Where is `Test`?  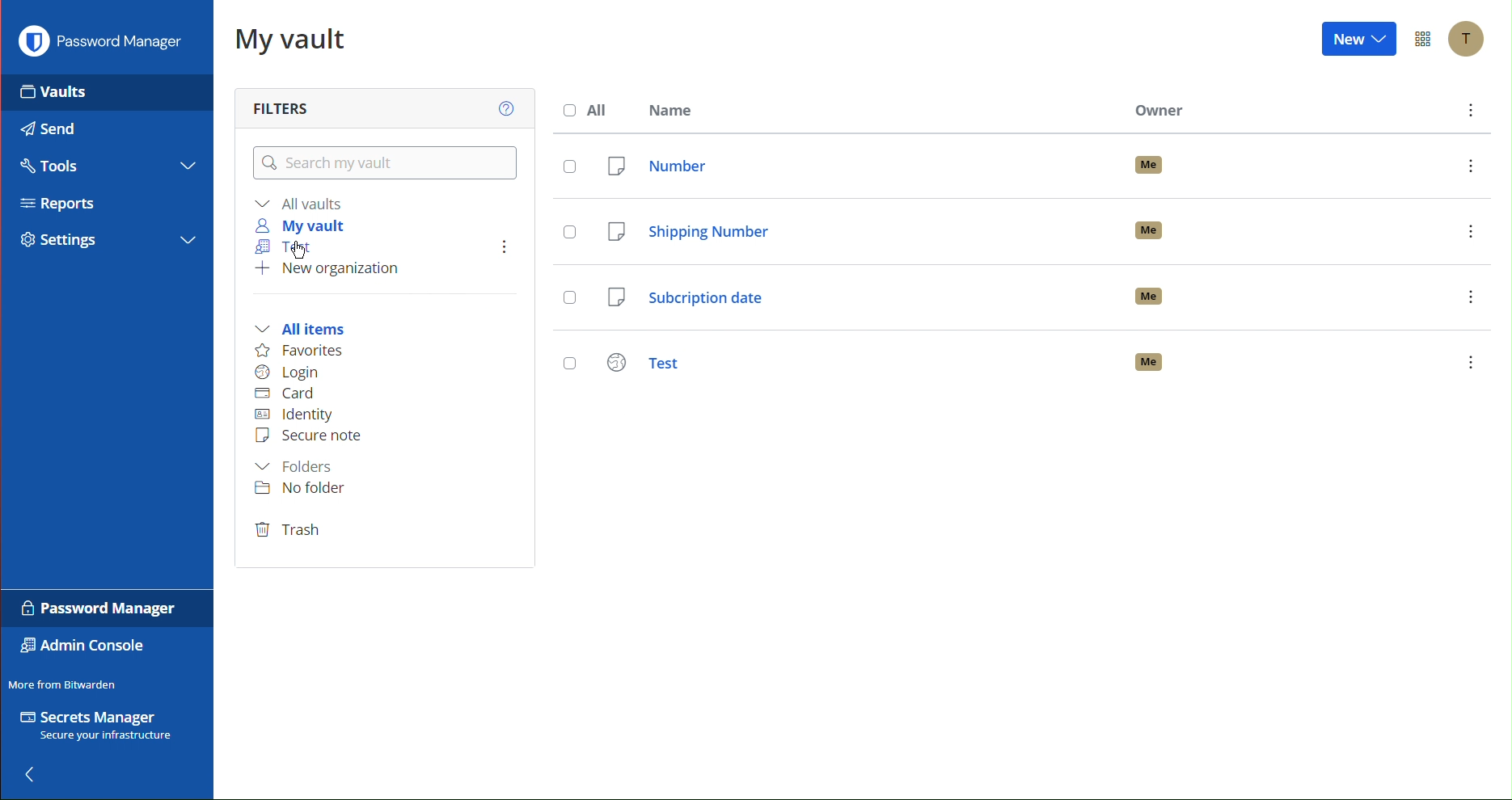
Test is located at coordinates (1038, 358).